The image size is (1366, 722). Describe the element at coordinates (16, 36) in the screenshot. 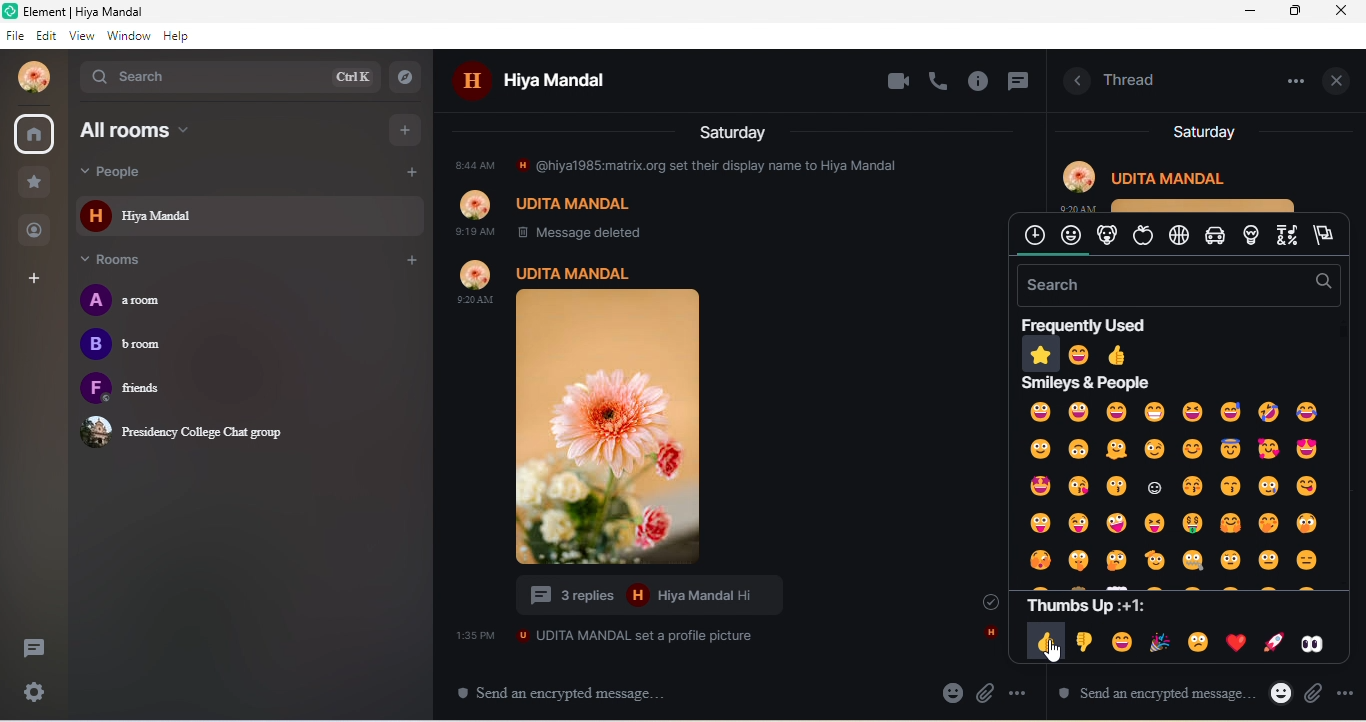

I see `file` at that location.